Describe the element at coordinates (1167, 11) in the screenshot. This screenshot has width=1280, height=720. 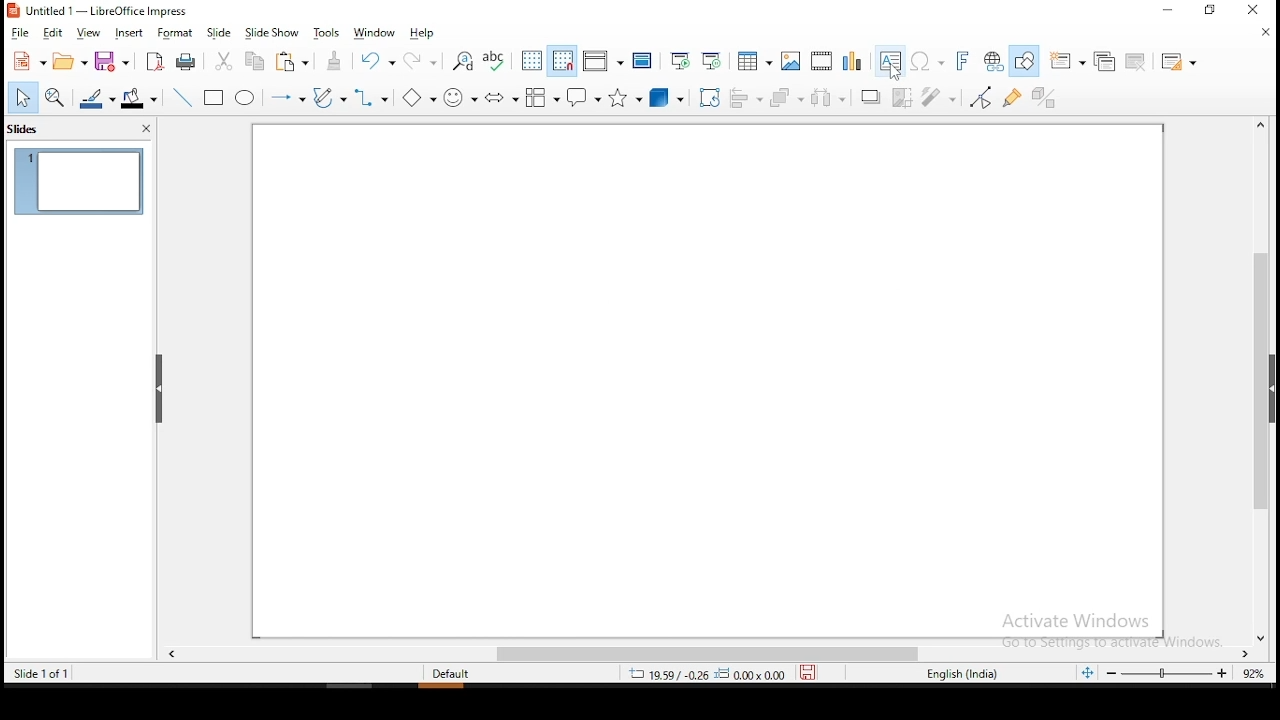
I see `minimize` at that location.